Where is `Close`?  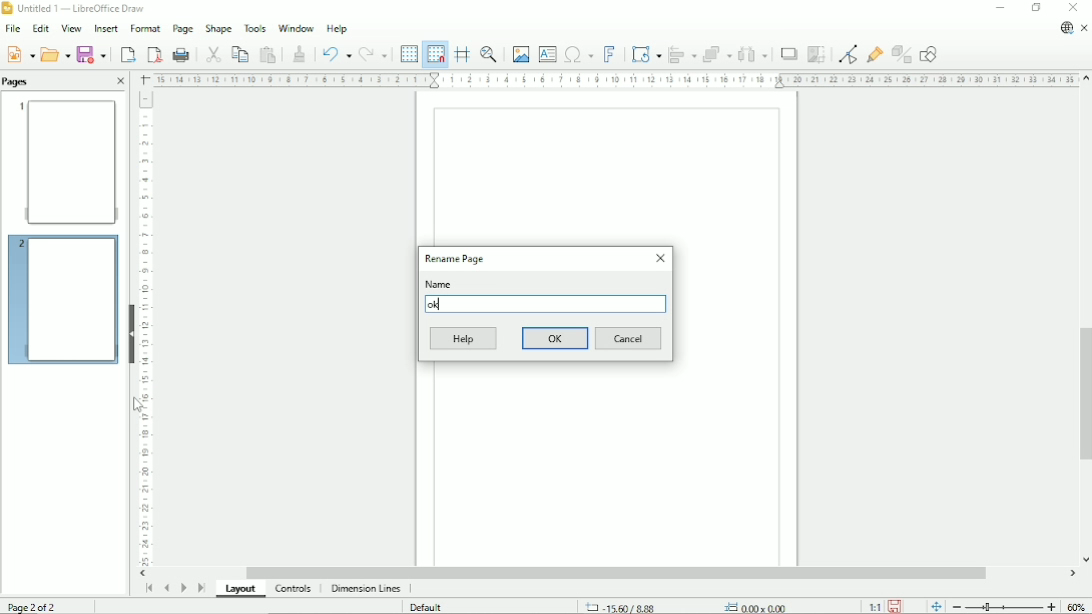
Close is located at coordinates (120, 82).